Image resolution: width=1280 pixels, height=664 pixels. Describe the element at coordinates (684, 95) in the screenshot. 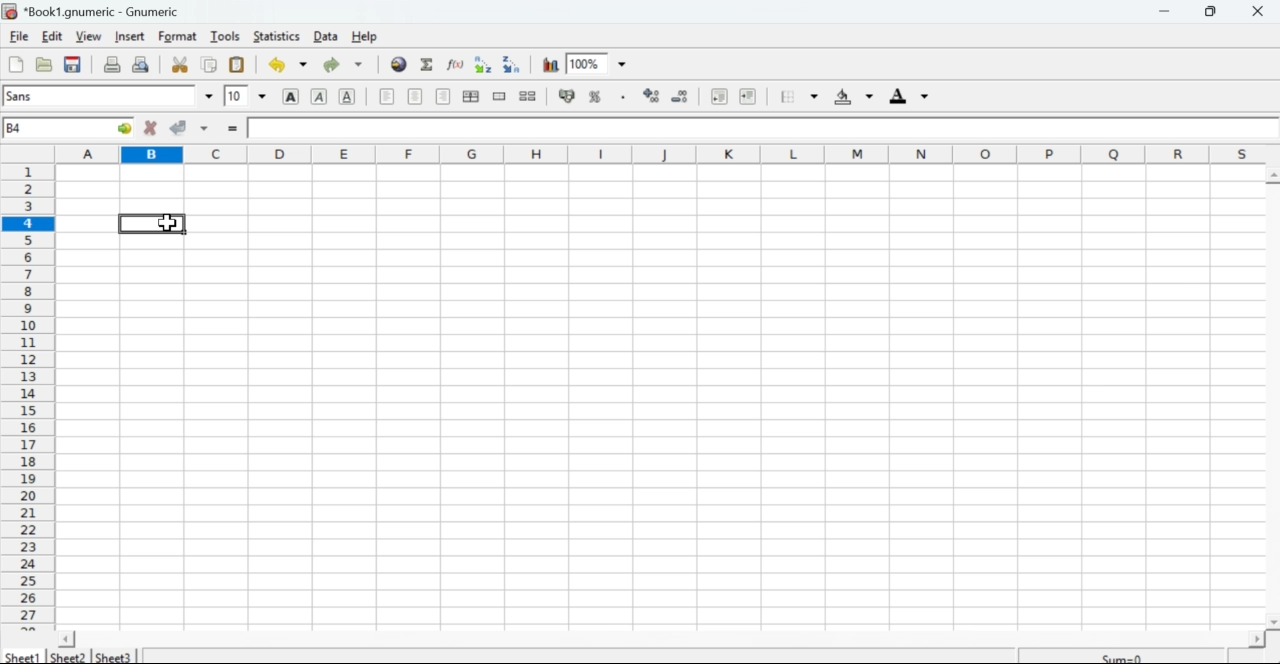

I see `Icon` at that location.